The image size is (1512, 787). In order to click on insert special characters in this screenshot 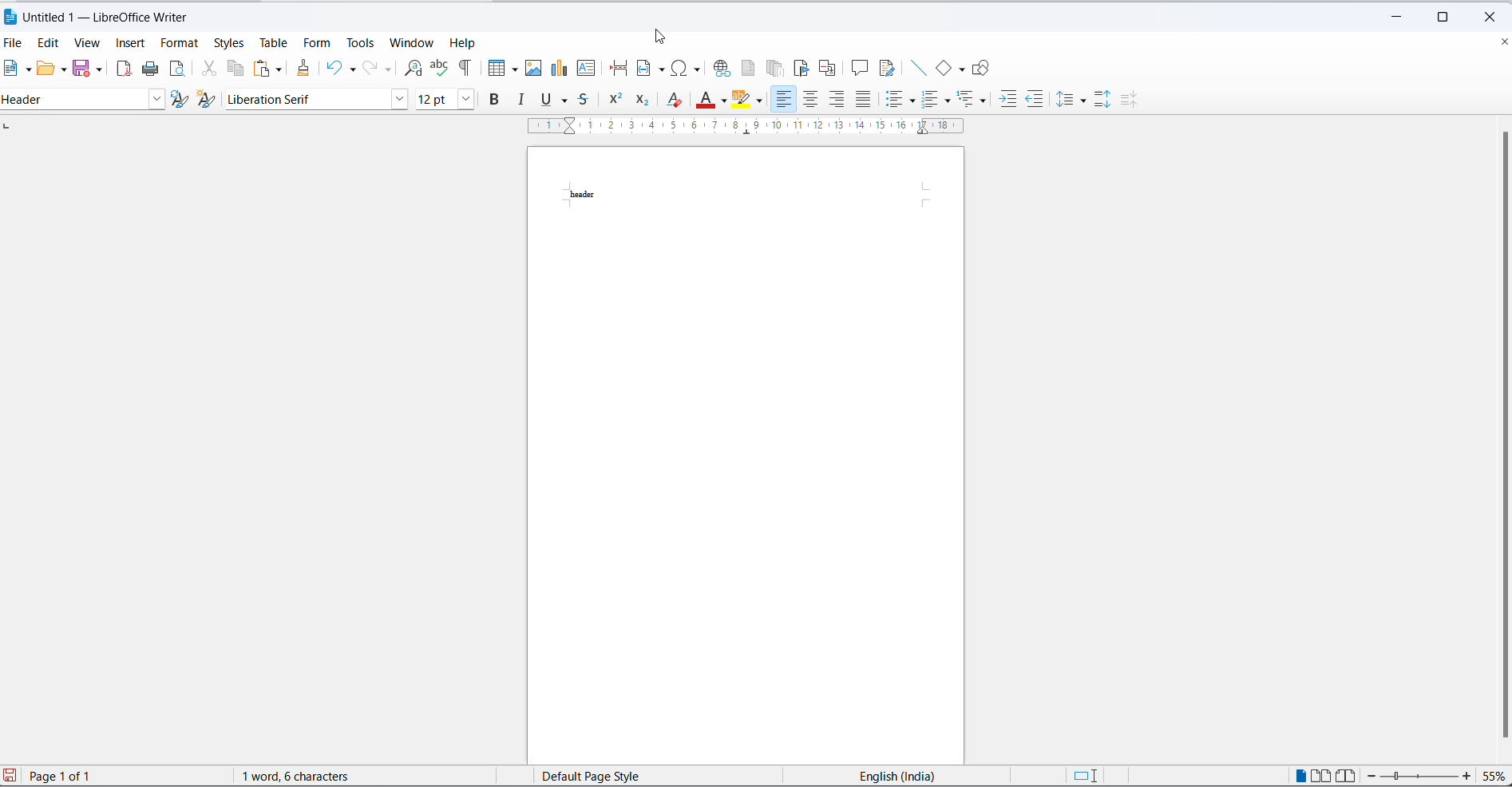, I will do `click(688, 68)`.